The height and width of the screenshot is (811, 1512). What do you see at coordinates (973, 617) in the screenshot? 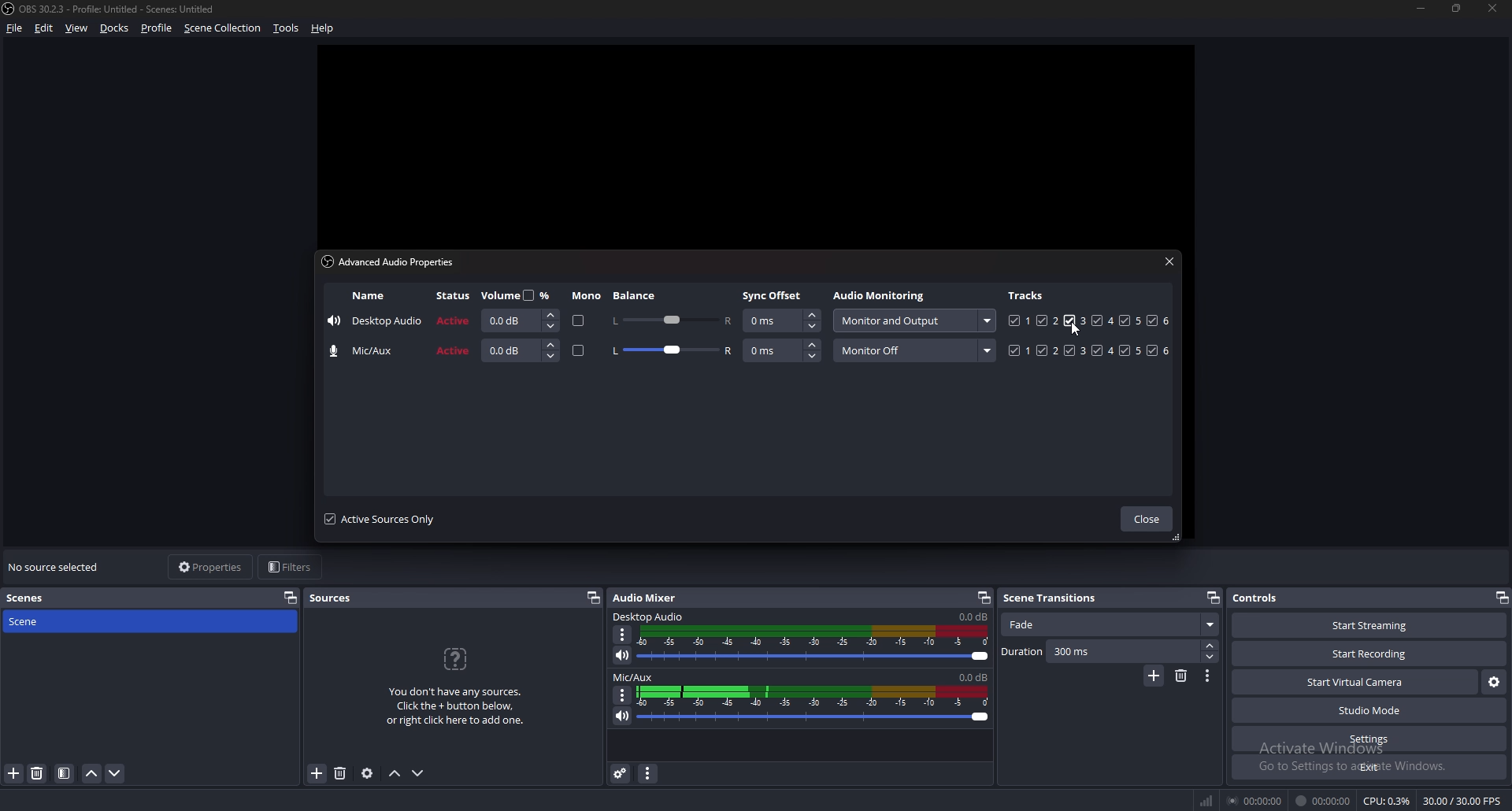
I see `desktop audio sound` at bounding box center [973, 617].